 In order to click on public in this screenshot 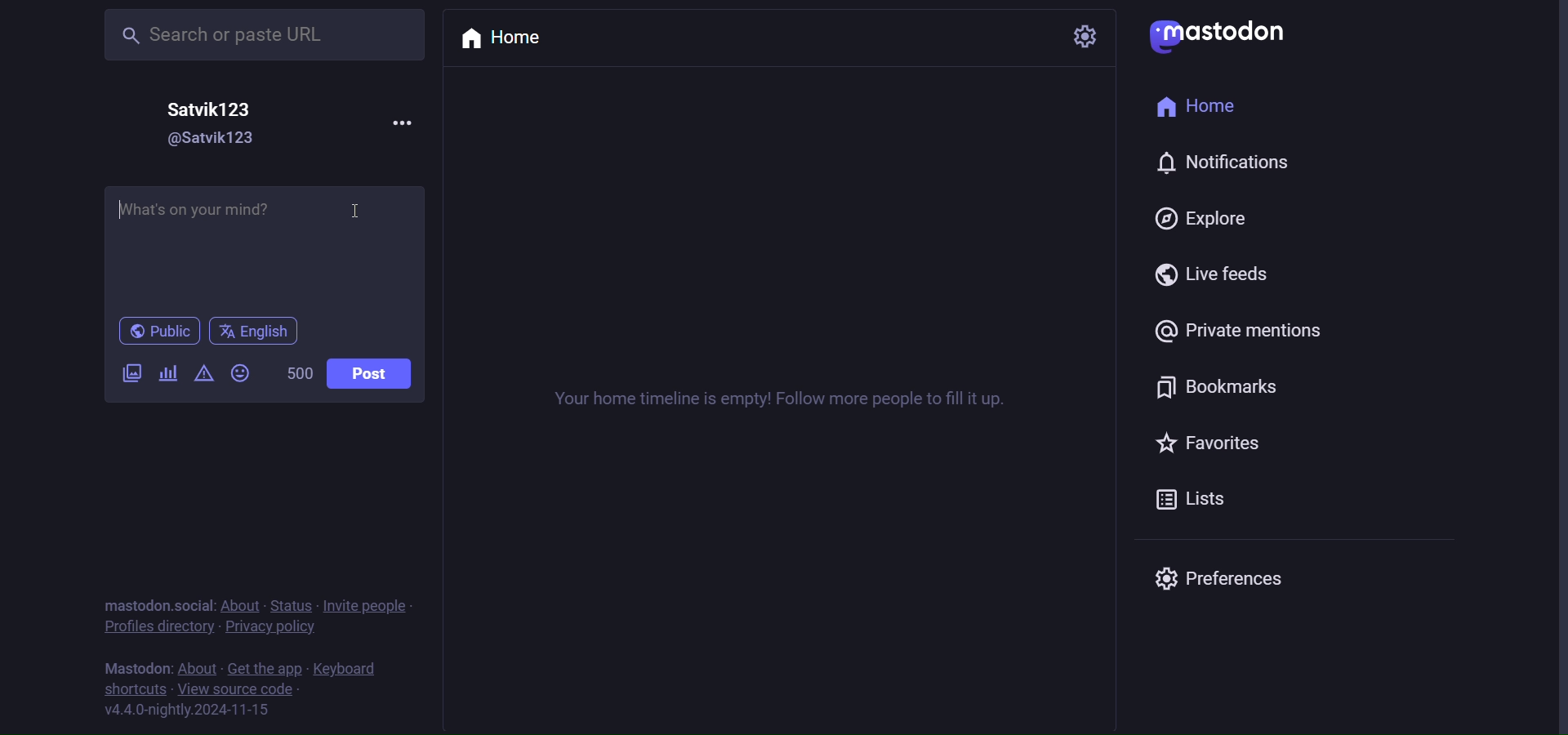, I will do `click(158, 332)`.